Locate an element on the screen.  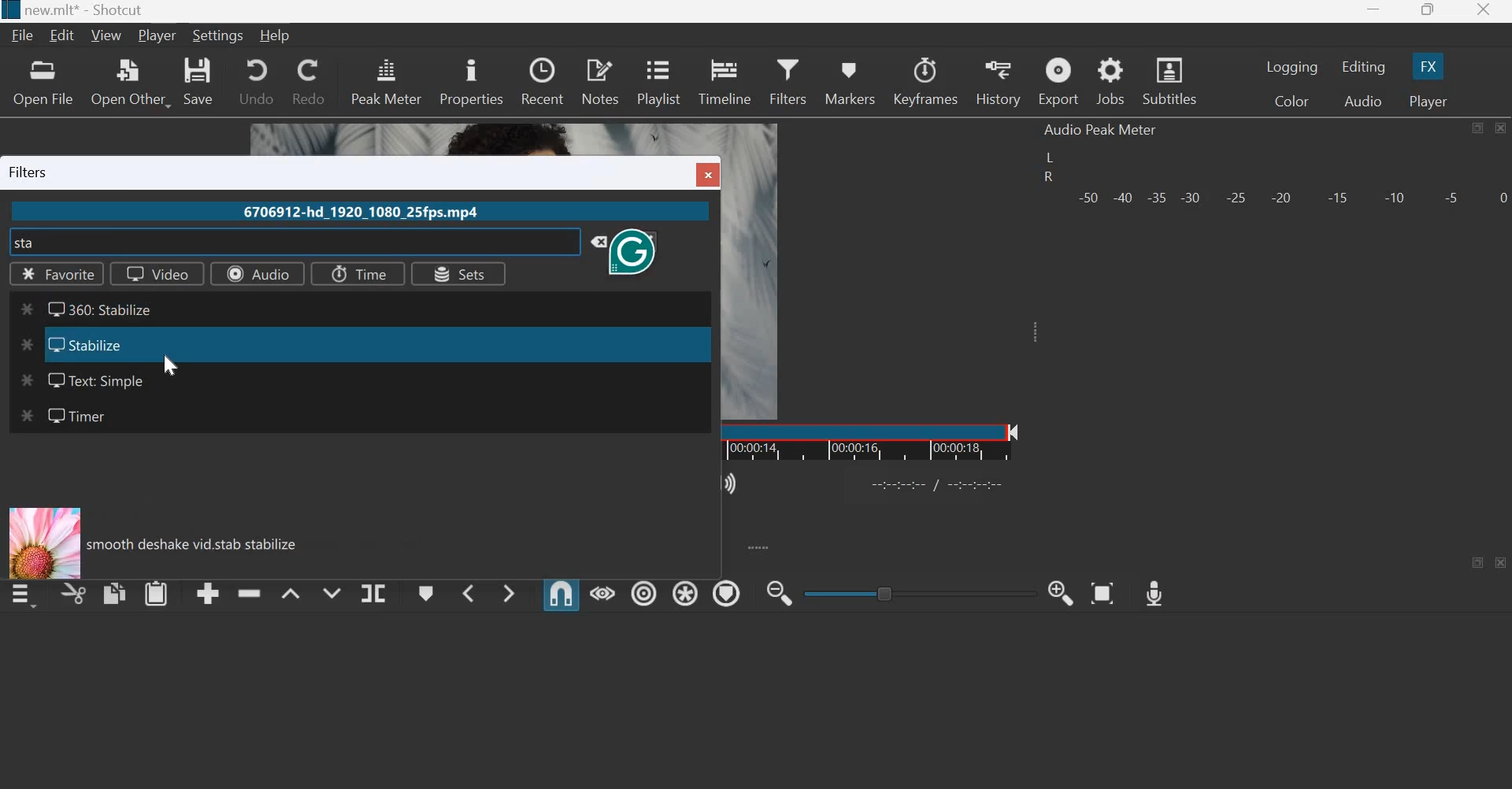
Zoom Timeline to Fit is located at coordinates (1102, 593).